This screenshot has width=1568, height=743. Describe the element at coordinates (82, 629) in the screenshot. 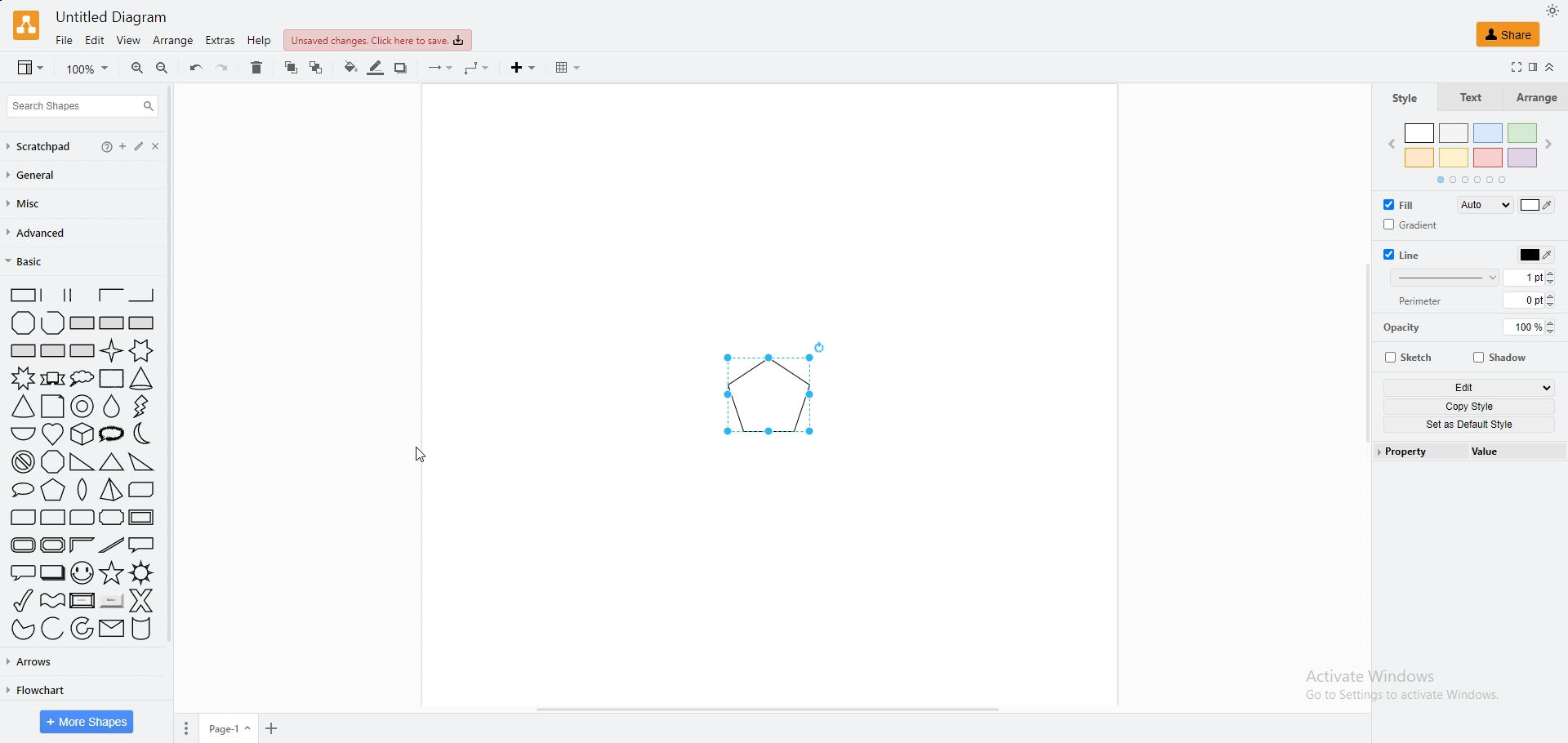

I see `partial concentric ellipse` at that location.